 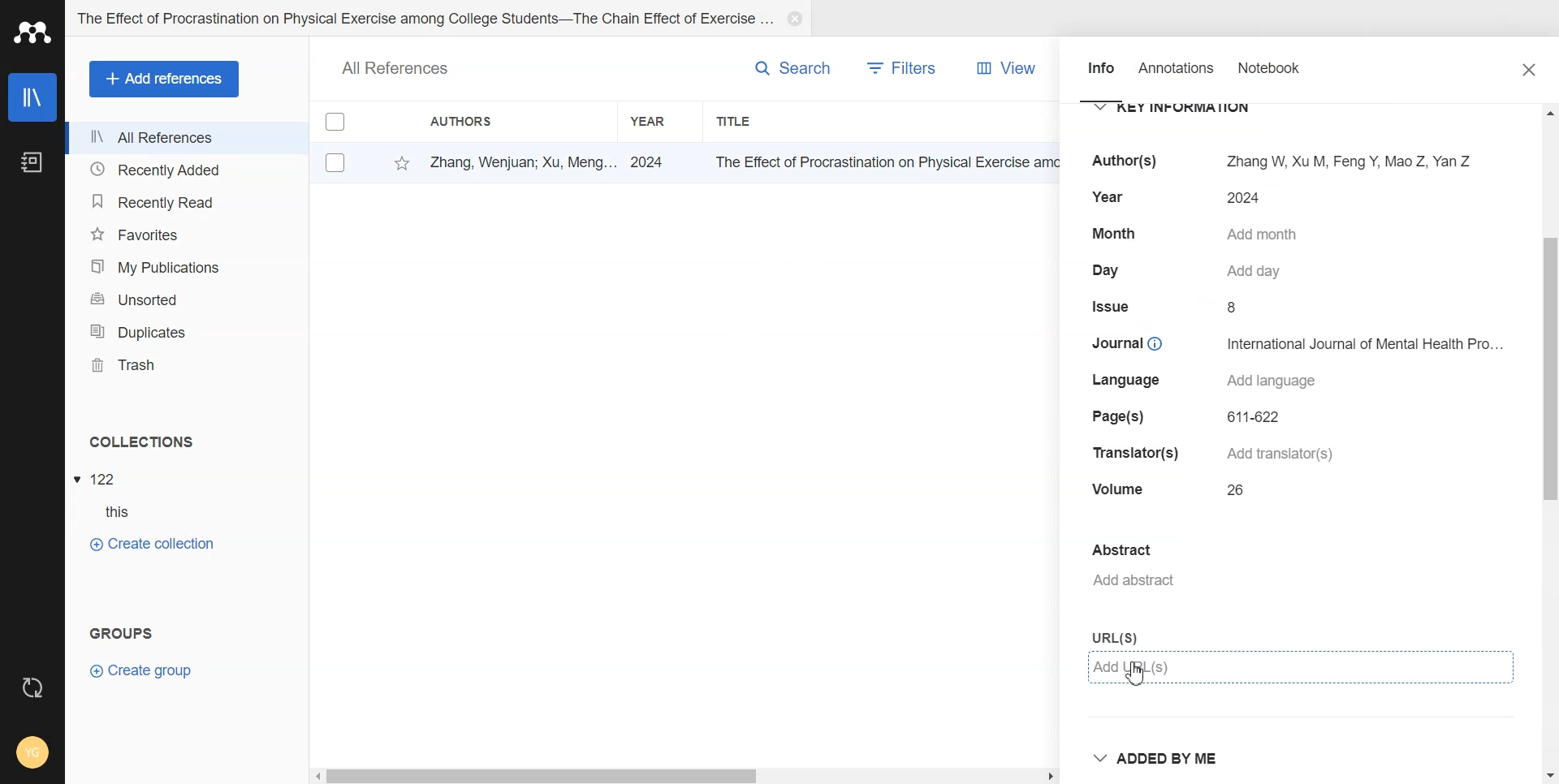 I want to click on Info, so click(x=1099, y=75).